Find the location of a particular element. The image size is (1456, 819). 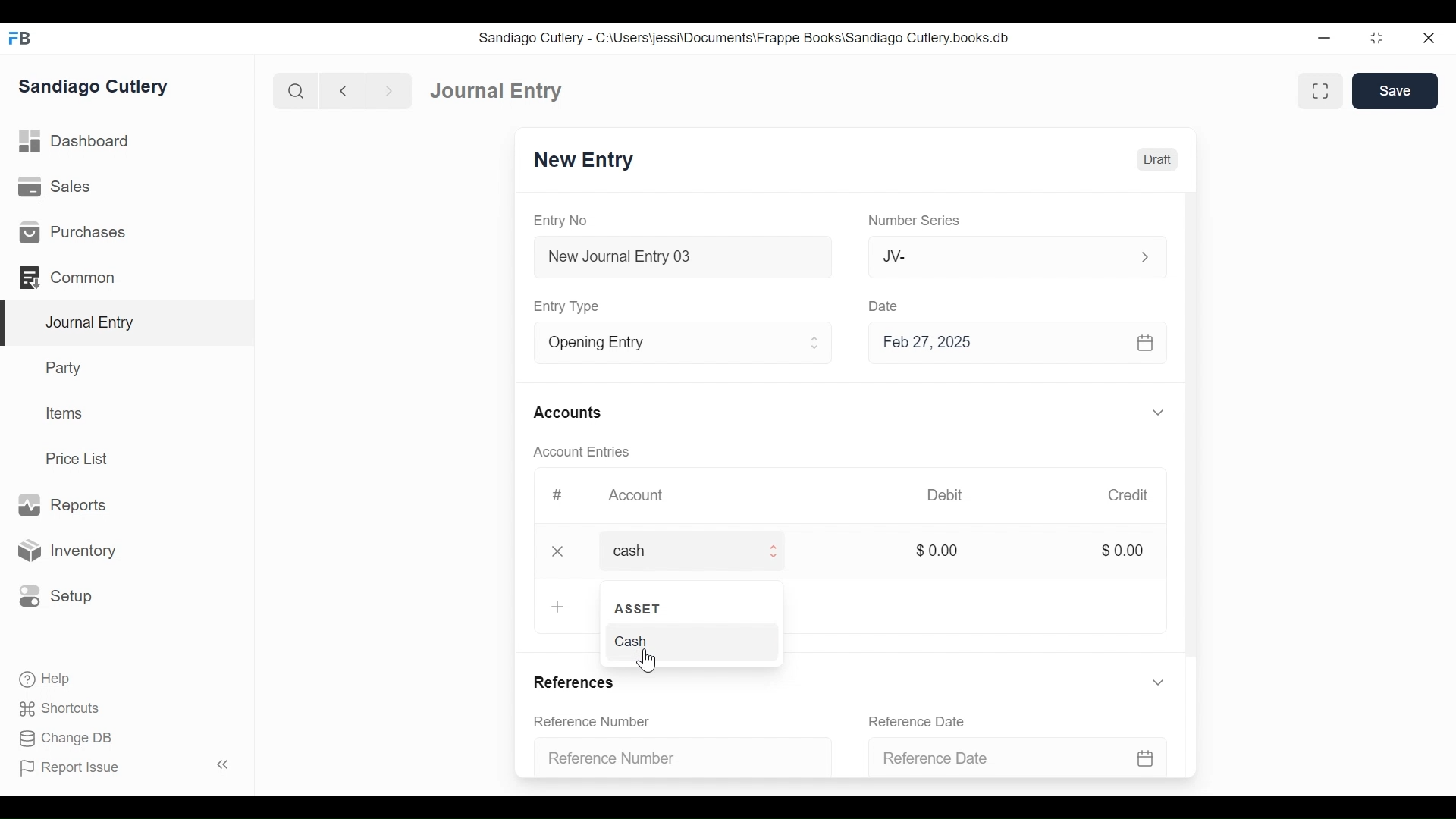

Frappe Books Desktop Icon is located at coordinates (20, 39).